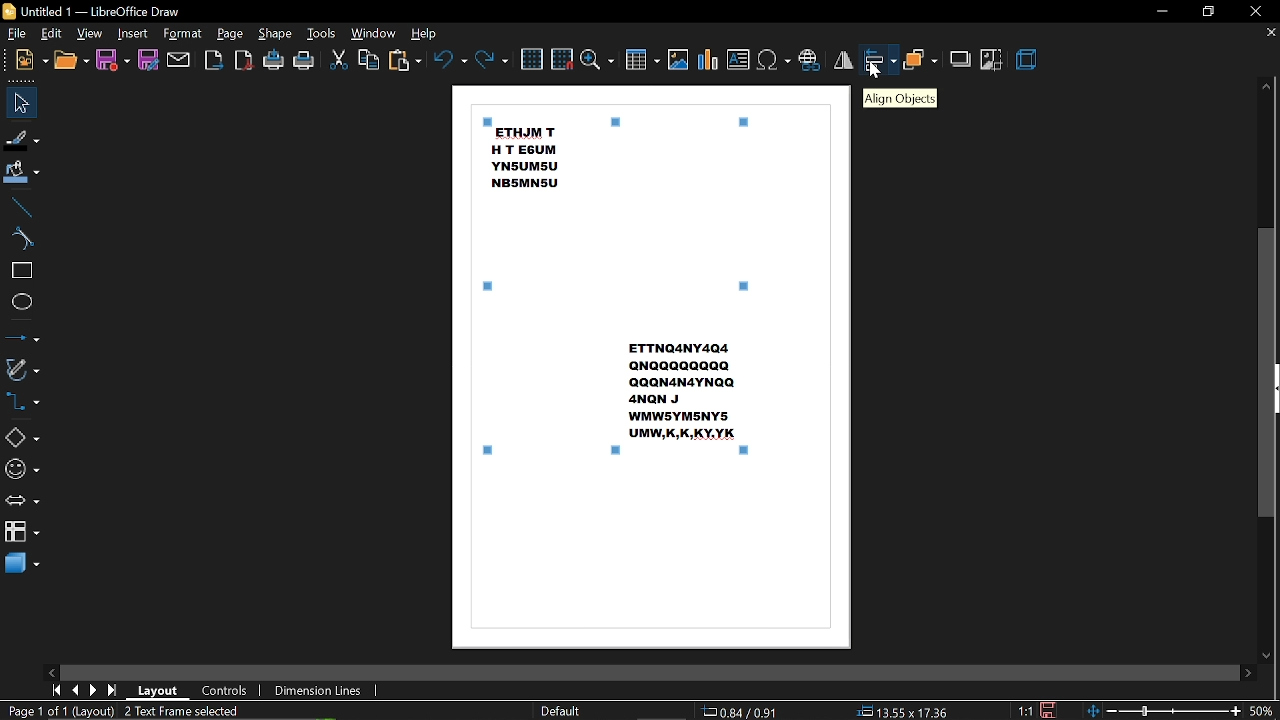 This screenshot has height=720, width=1280. I want to click on change zoom, so click(1164, 712).